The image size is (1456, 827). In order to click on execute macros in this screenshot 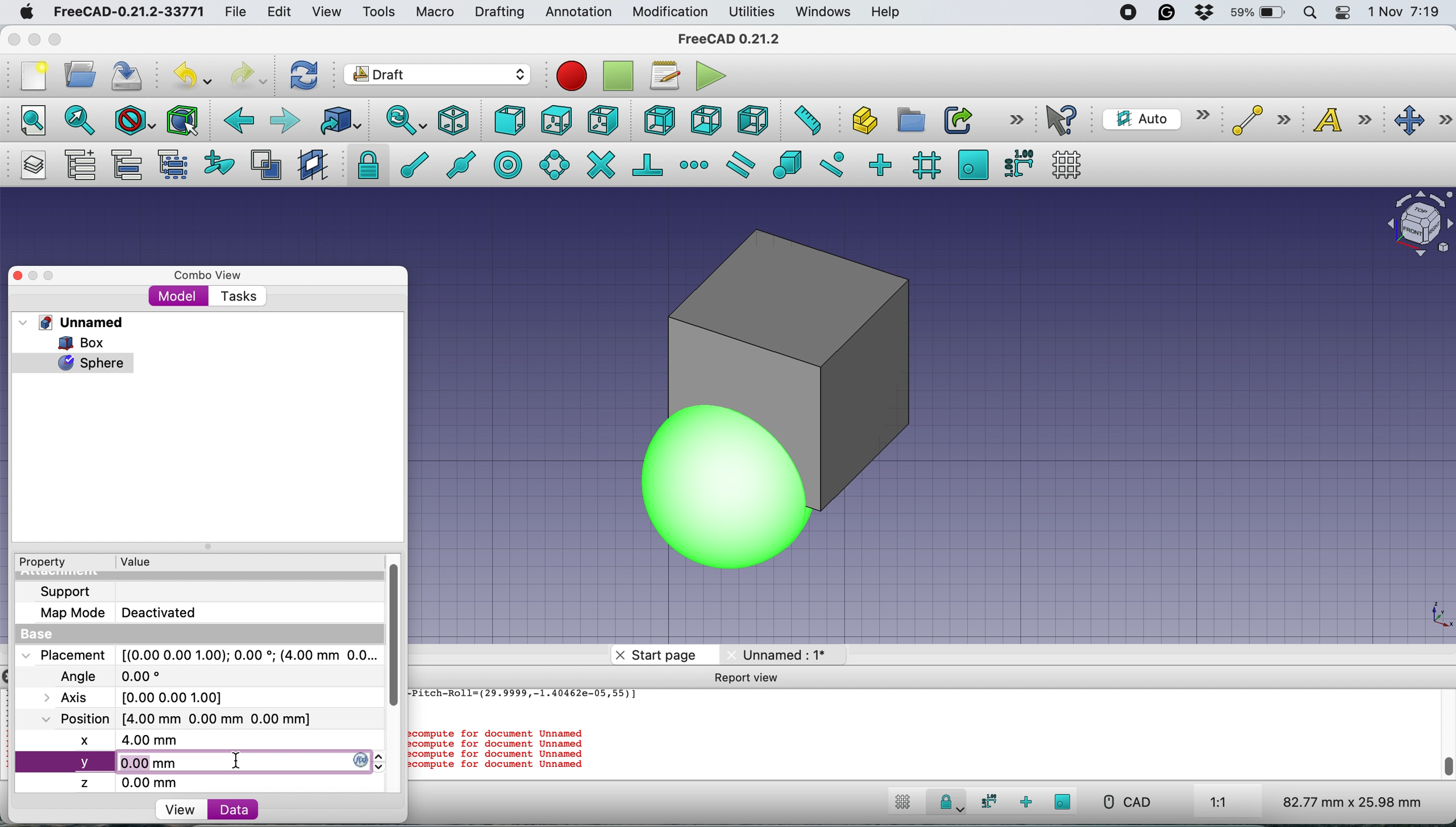, I will do `click(712, 76)`.